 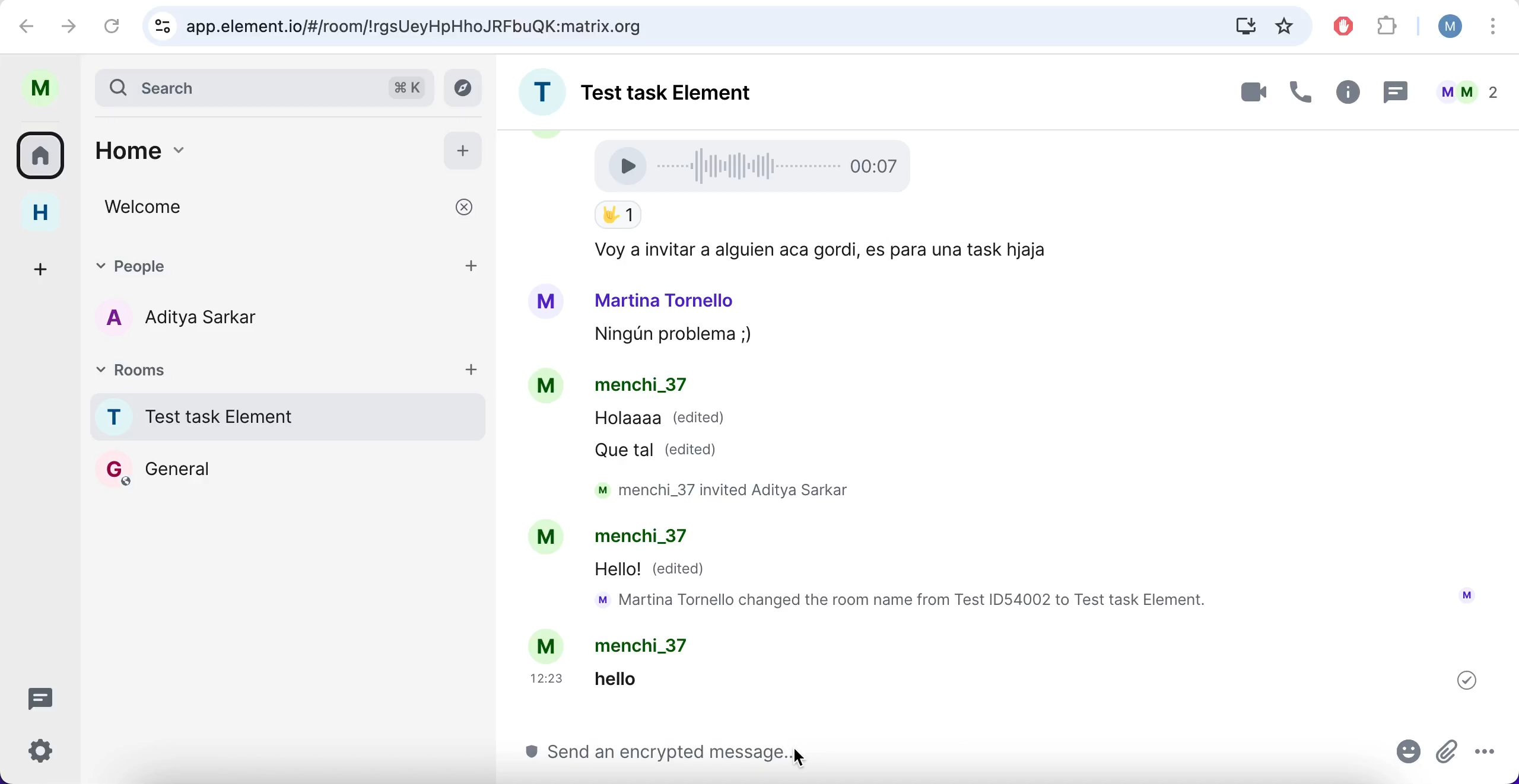 I want to click on User Icon, so click(x=1467, y=595).